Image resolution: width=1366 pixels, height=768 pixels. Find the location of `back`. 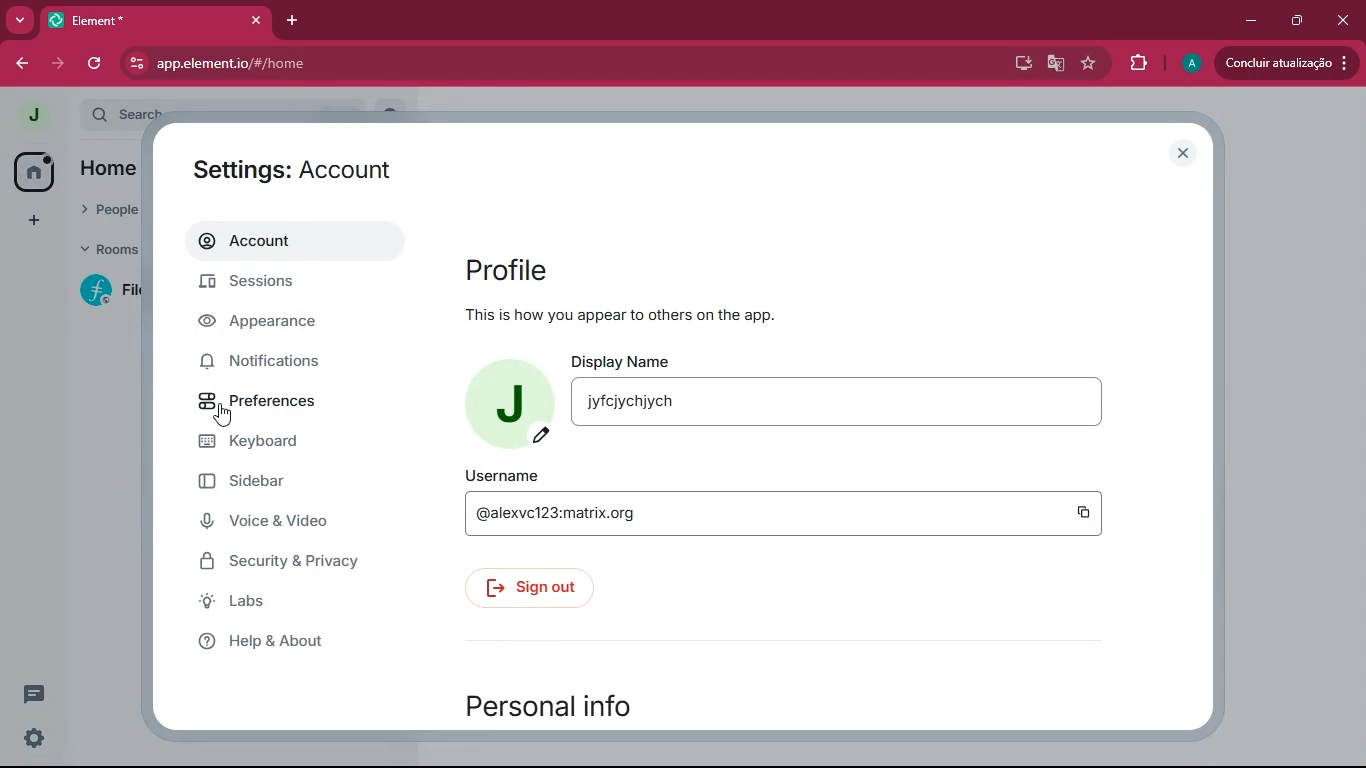

back is located at coordinates (19, 66).